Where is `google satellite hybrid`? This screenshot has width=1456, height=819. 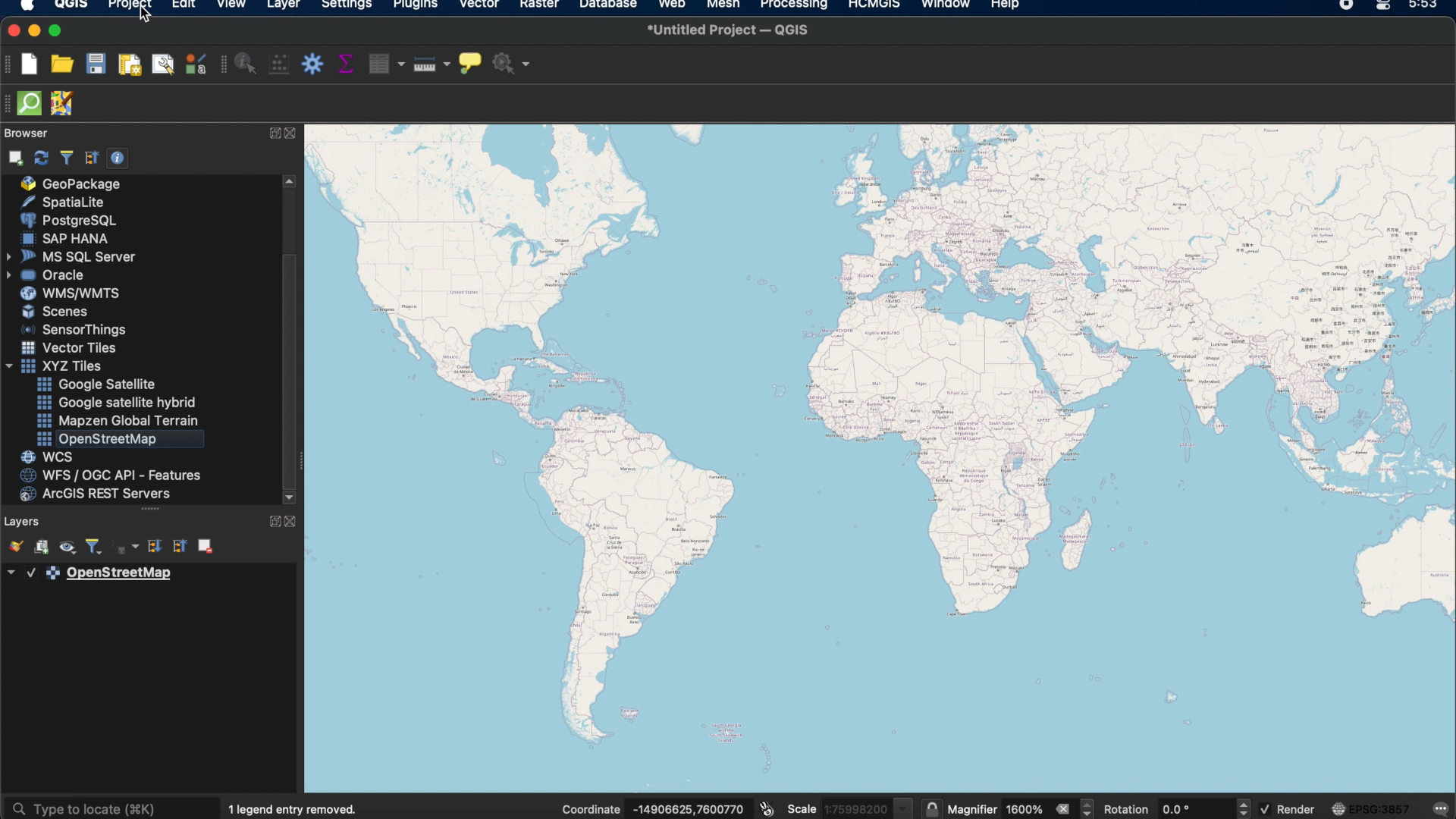
google satellite hybrid is located at coordinates (118, 402).